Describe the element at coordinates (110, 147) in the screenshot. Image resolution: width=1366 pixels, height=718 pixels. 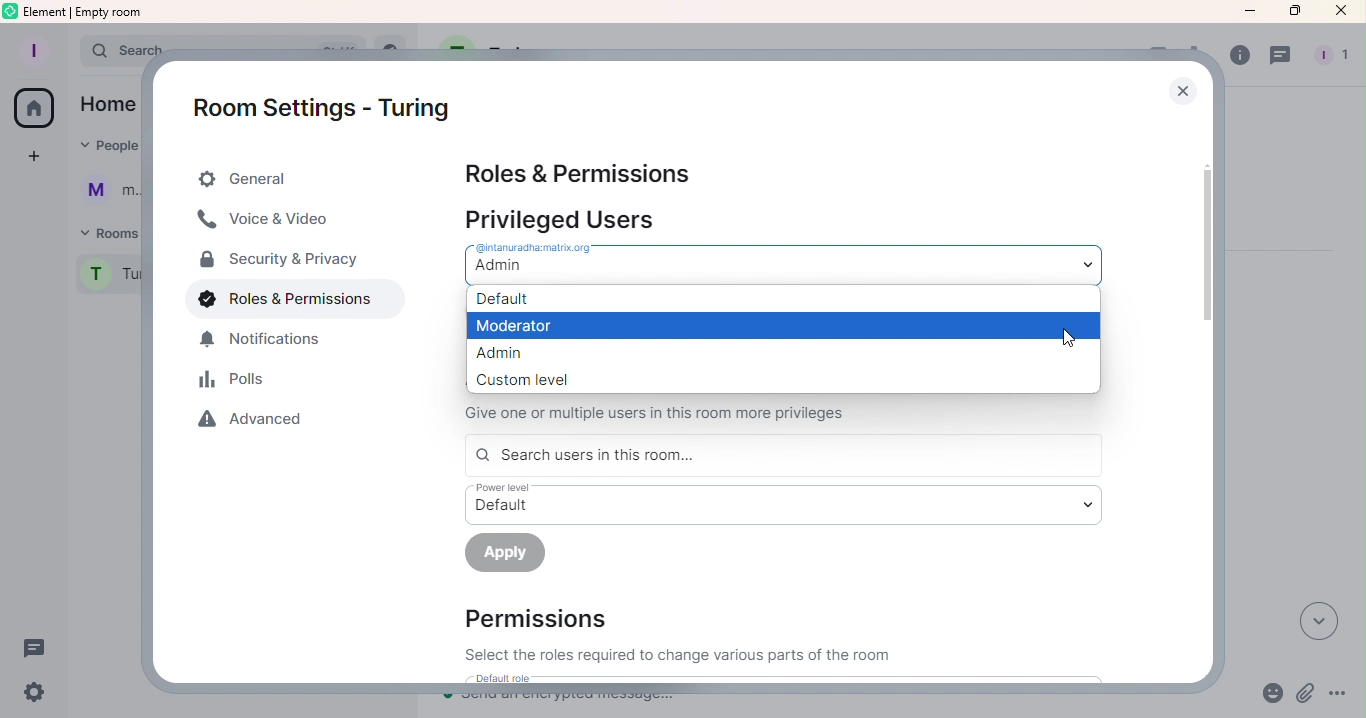
I see `People` at that location.